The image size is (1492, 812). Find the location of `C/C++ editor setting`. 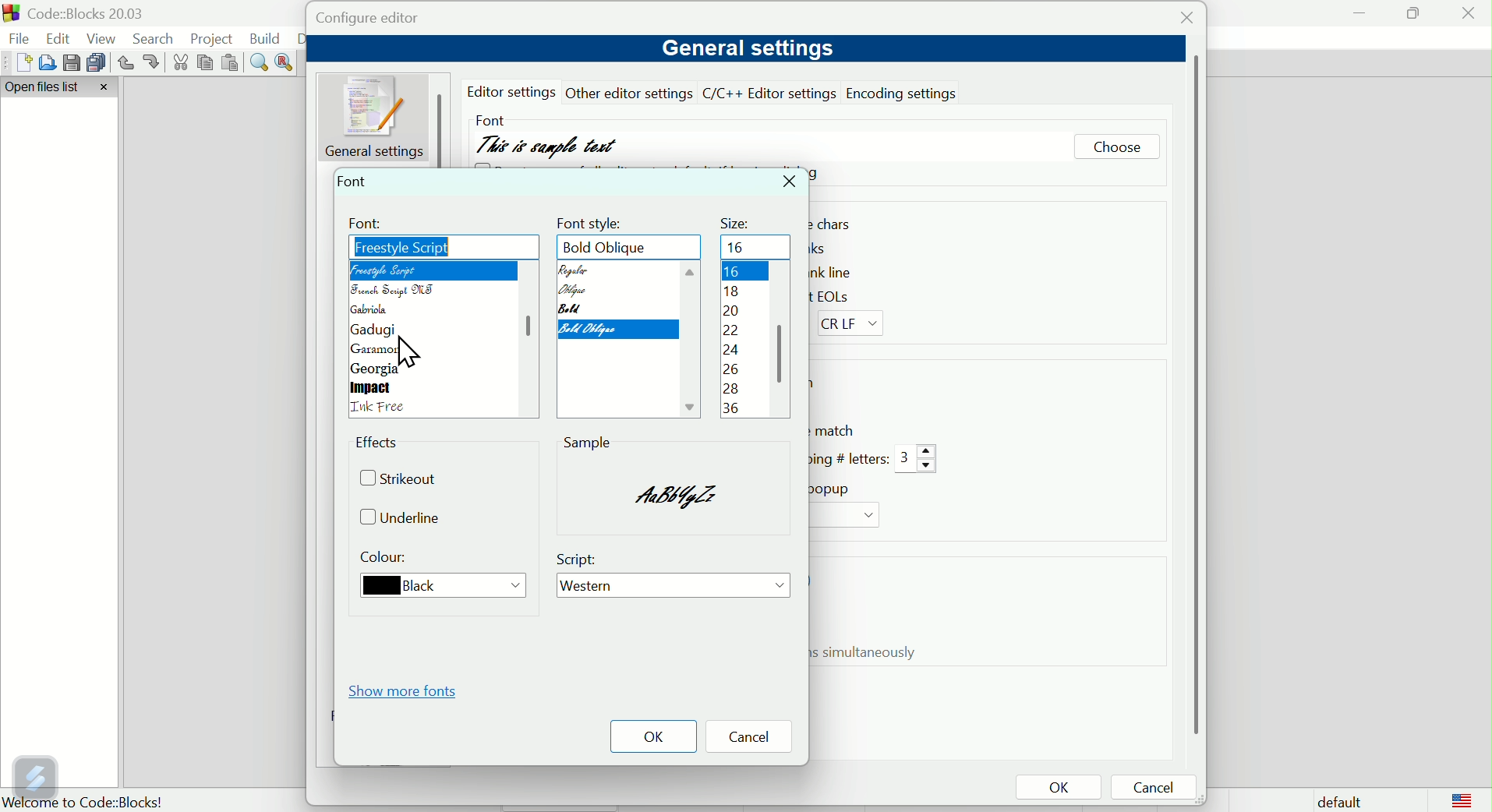

C/C++ editor setting is located at coordinates (770, 94).